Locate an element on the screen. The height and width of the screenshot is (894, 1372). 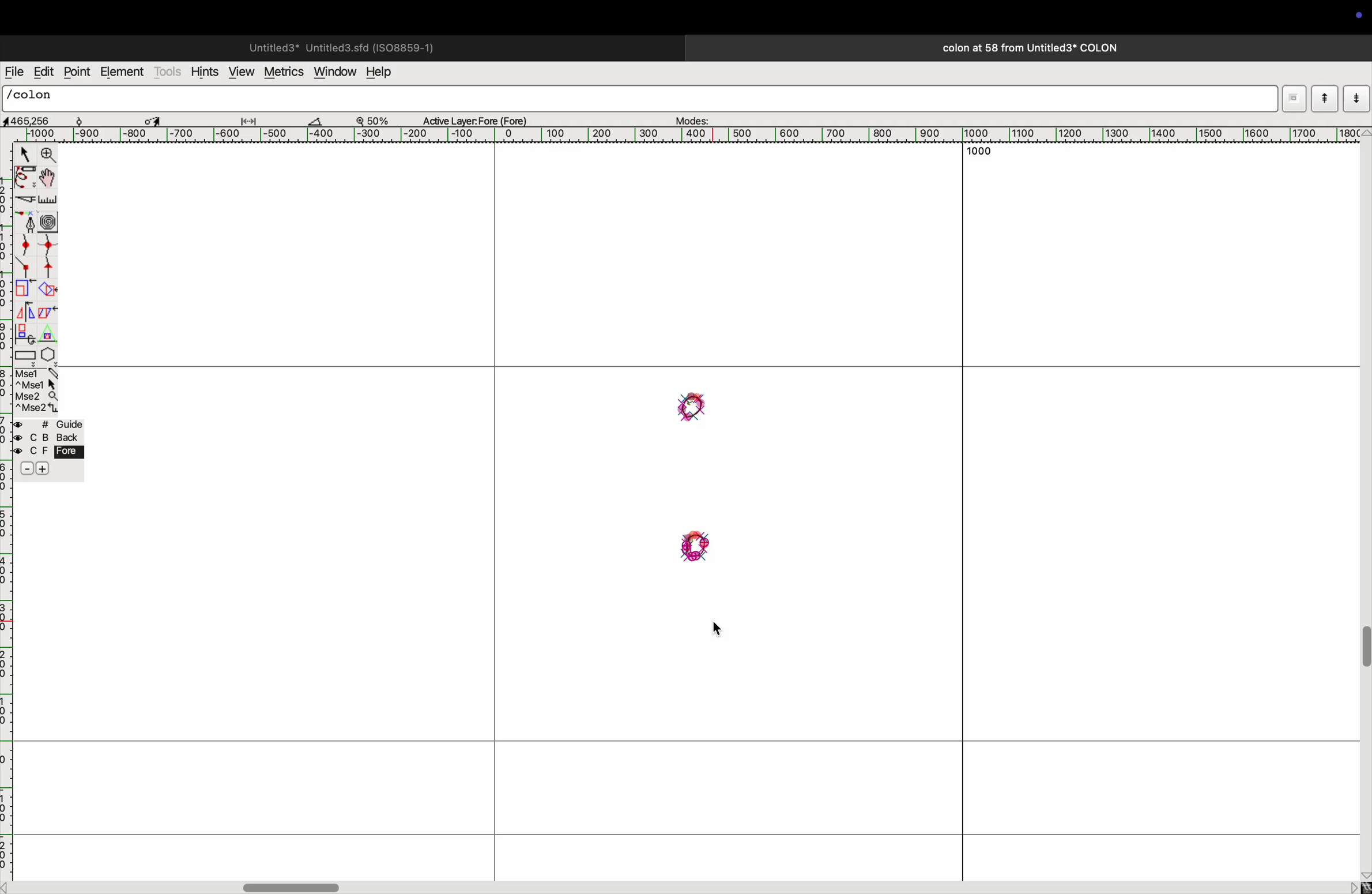
scale is located at coordinates (48, 201).